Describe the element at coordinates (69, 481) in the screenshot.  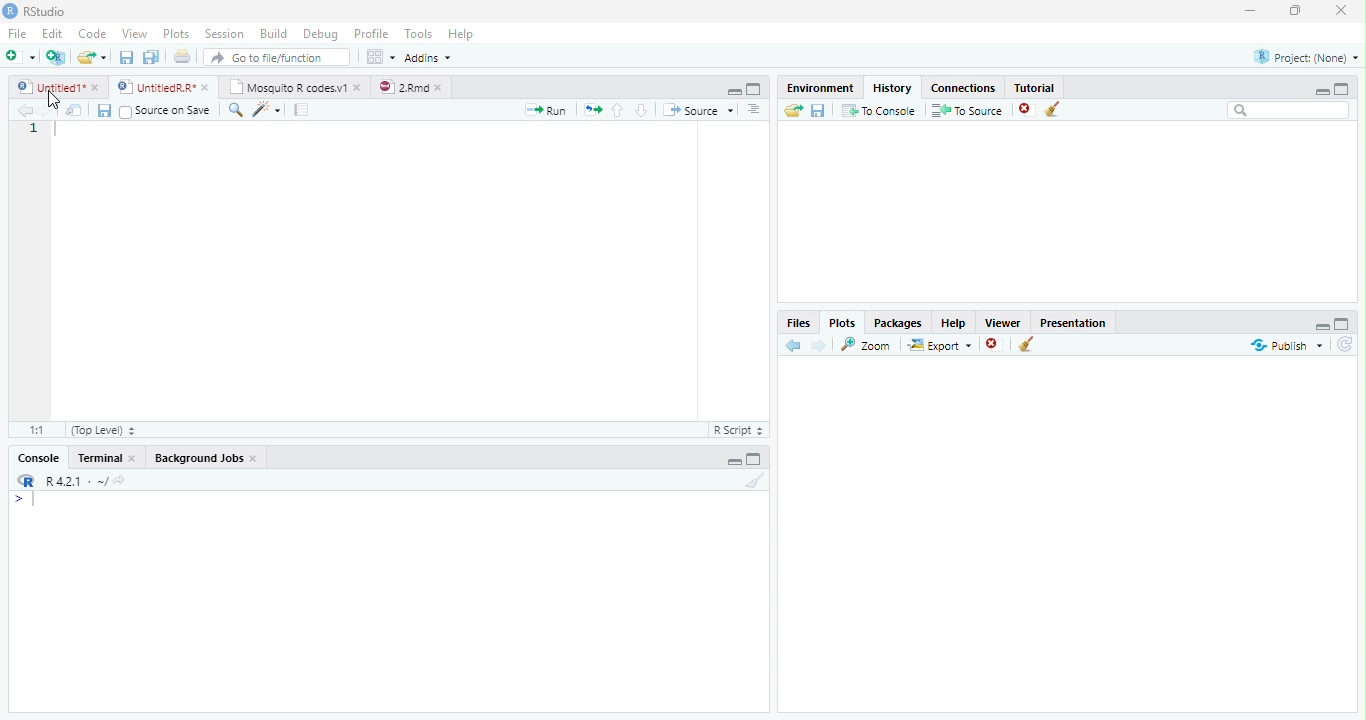
I see `R R421 - ~/` at that location.